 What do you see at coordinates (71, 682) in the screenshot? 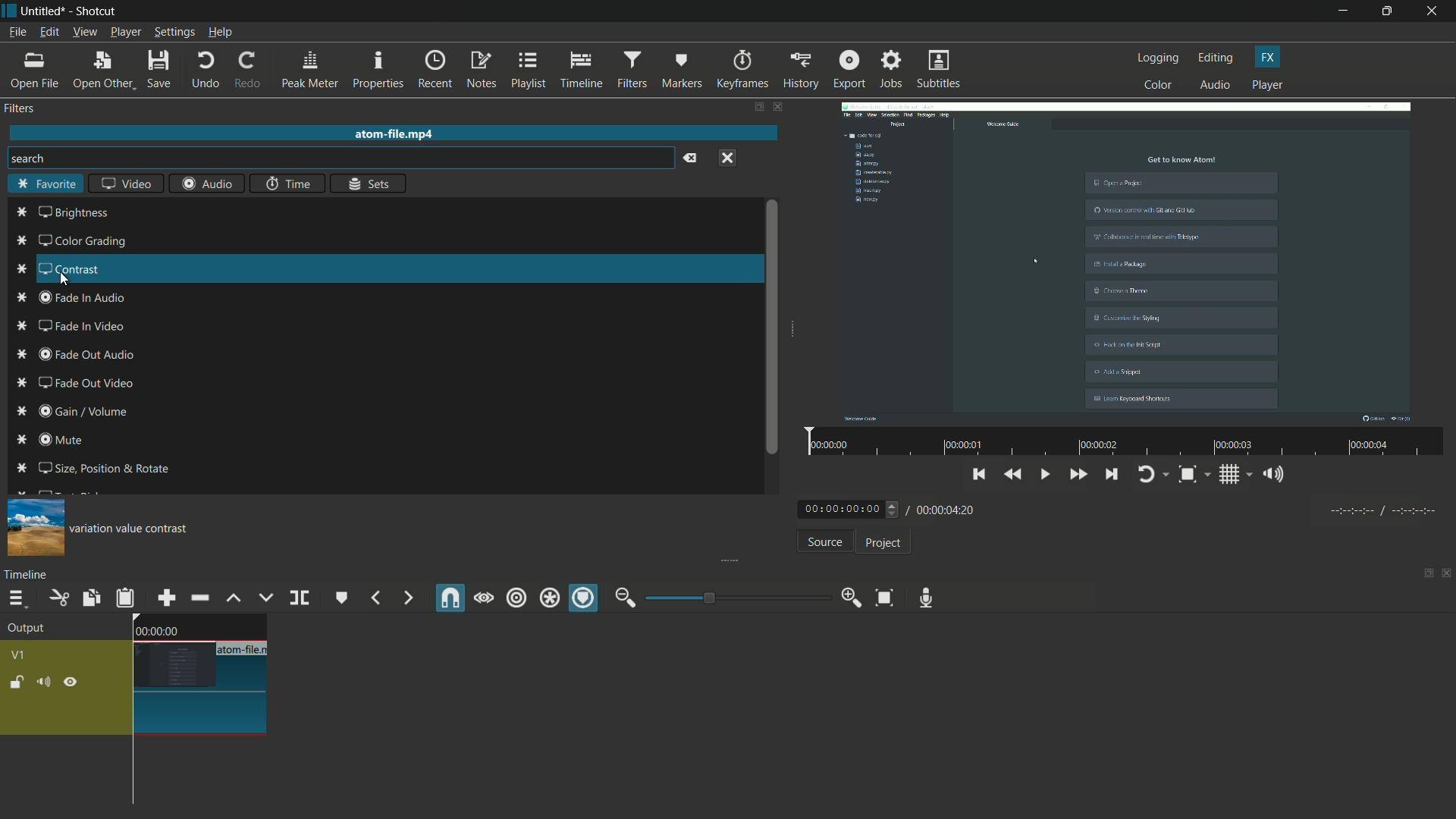
I see `hide` at bounding box center [71, 682].